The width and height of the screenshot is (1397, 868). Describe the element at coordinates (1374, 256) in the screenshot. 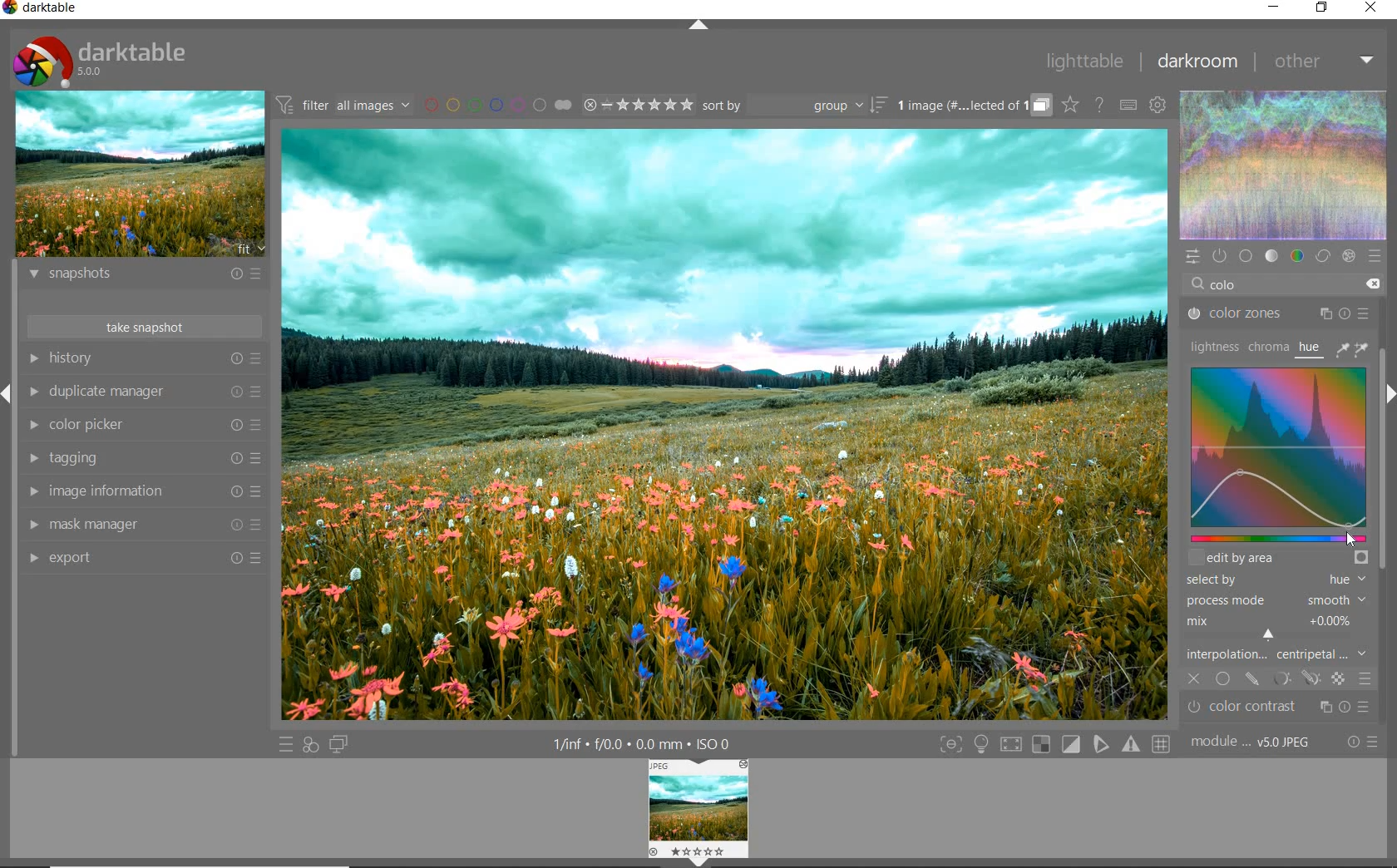

I see `presets` at that location.